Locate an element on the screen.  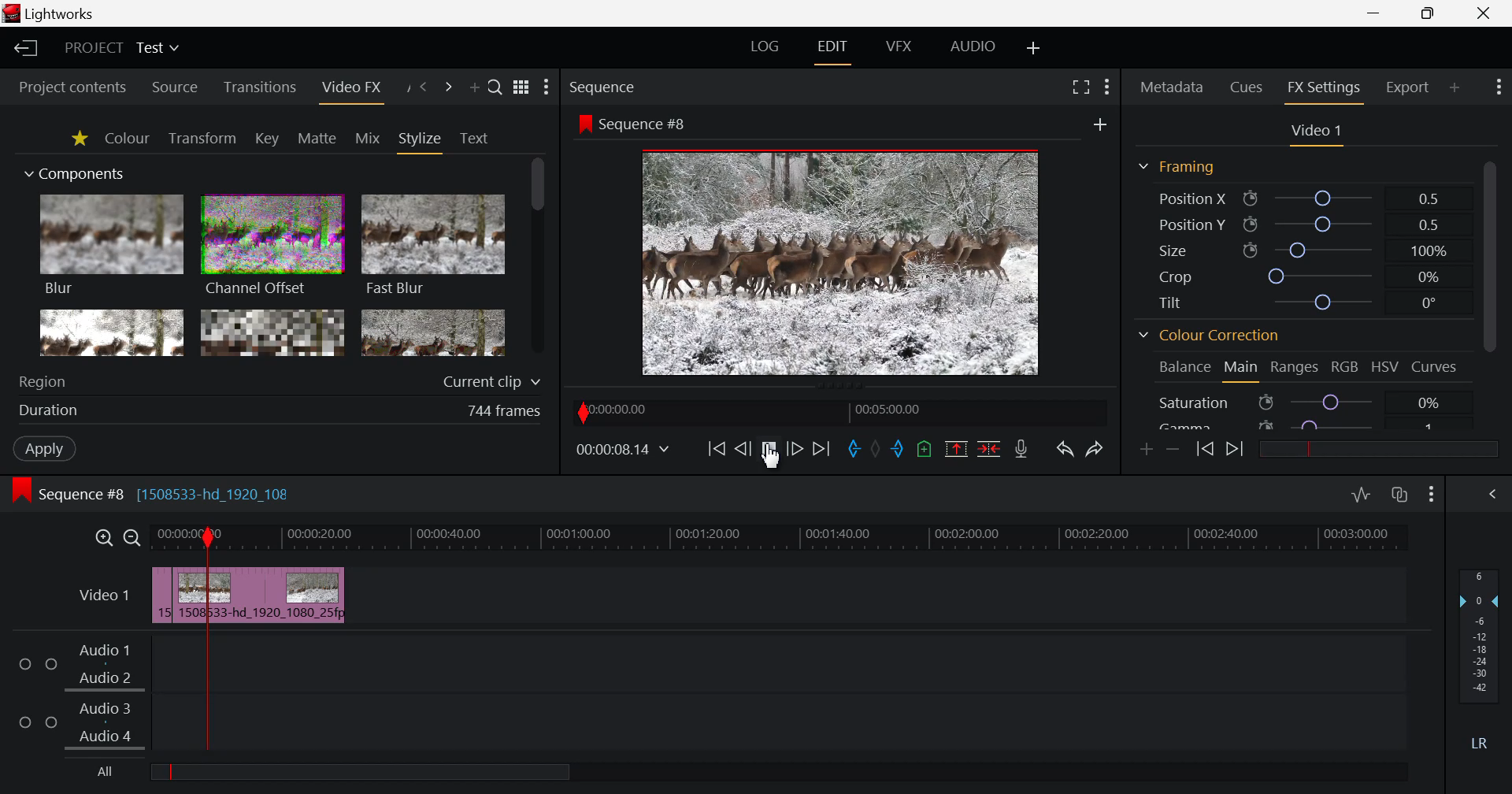
Cues is located at coordinates (1247, 88).